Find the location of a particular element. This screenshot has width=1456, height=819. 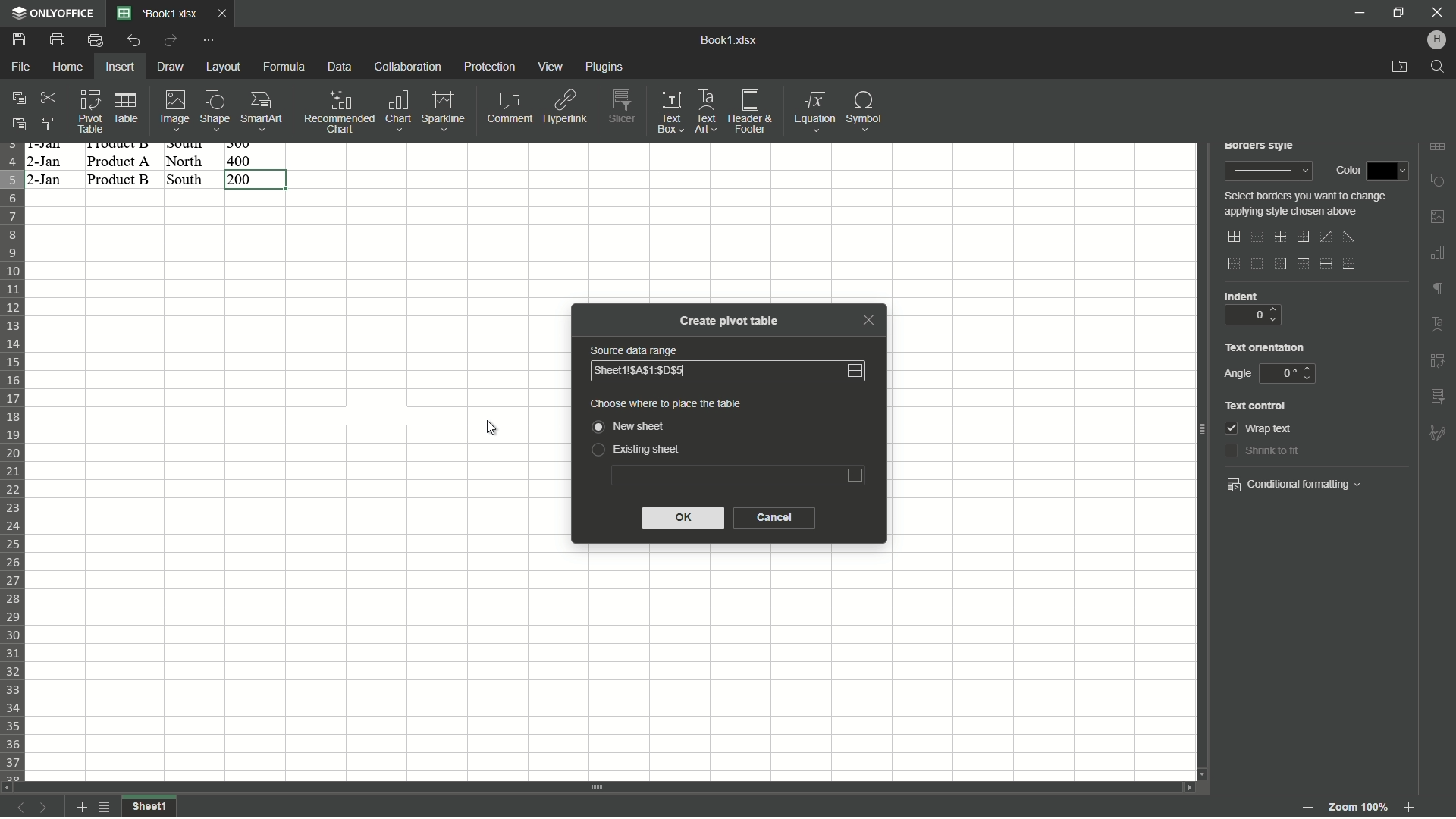

view is located at coordinates (551, 67).